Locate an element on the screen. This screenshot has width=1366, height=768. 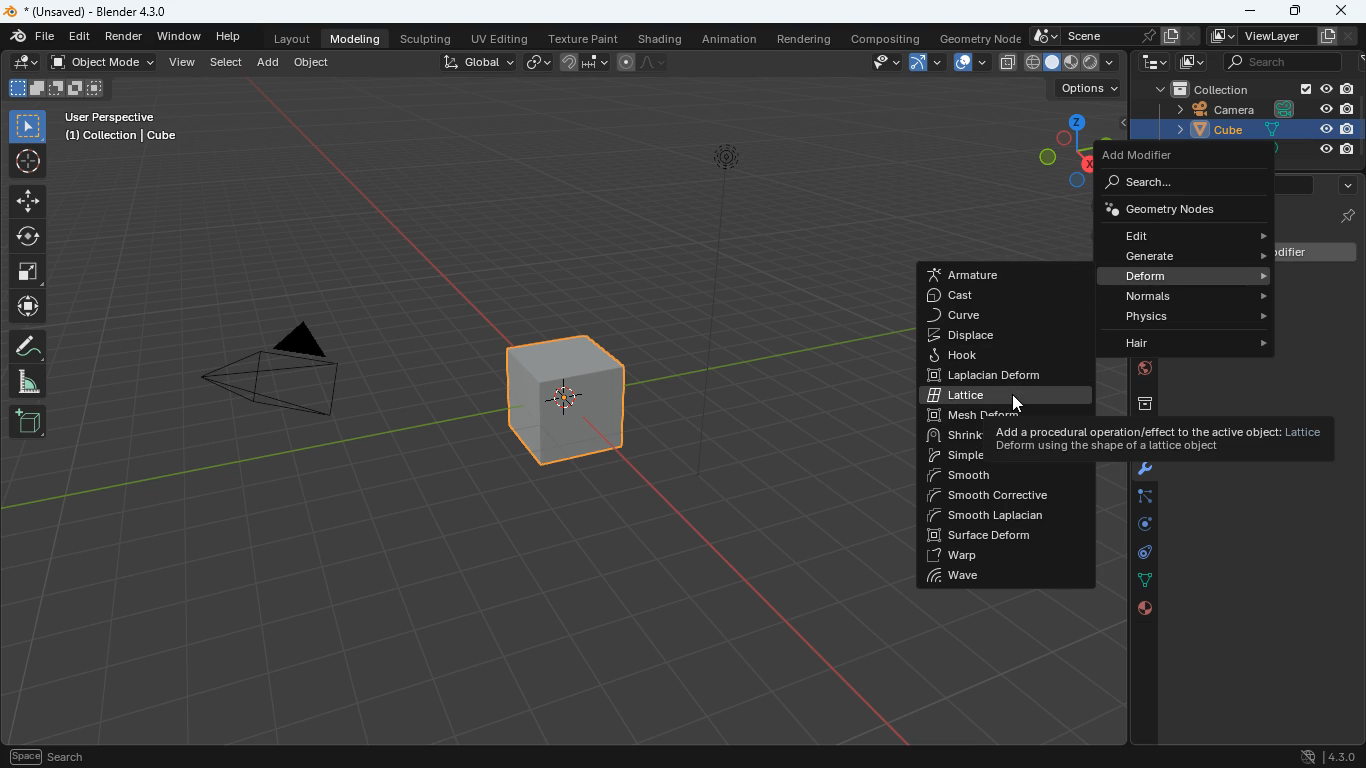
smooth corrective is located at coordinates (1001, 498).